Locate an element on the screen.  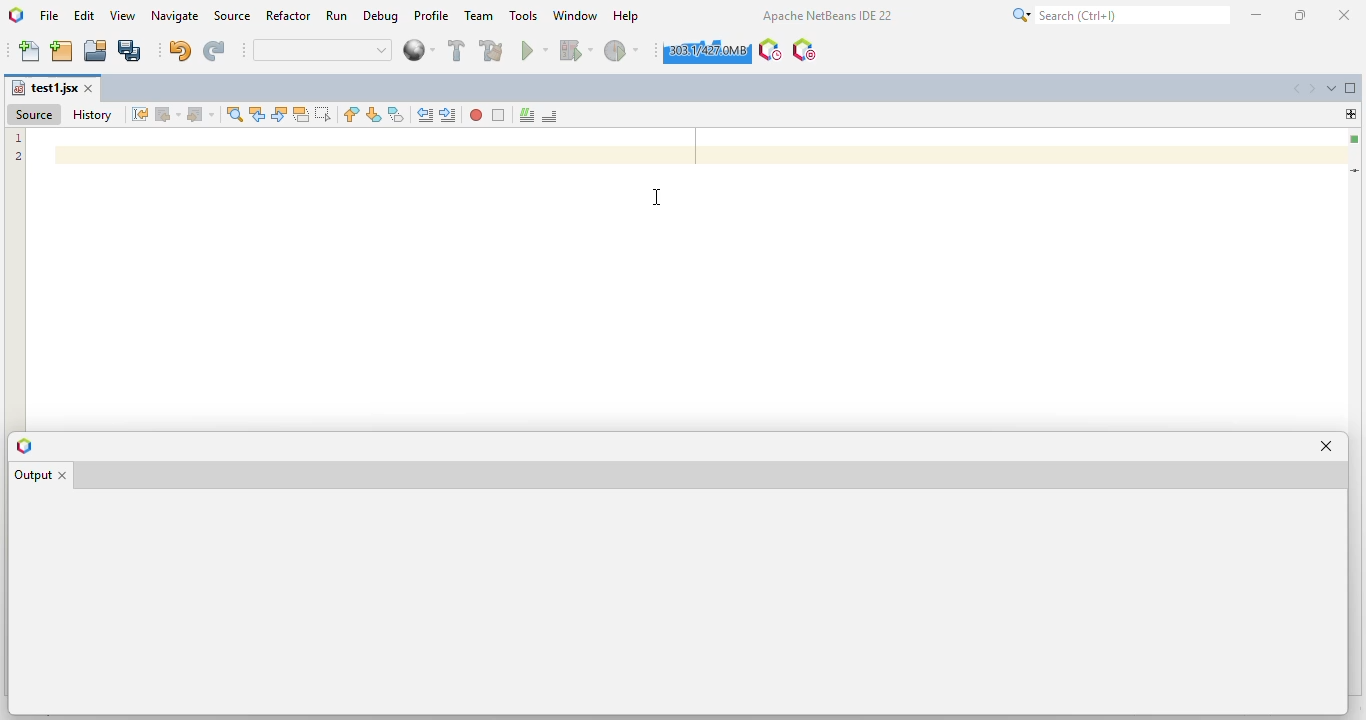
show opened documents list is located at coordinates (1332, 87).